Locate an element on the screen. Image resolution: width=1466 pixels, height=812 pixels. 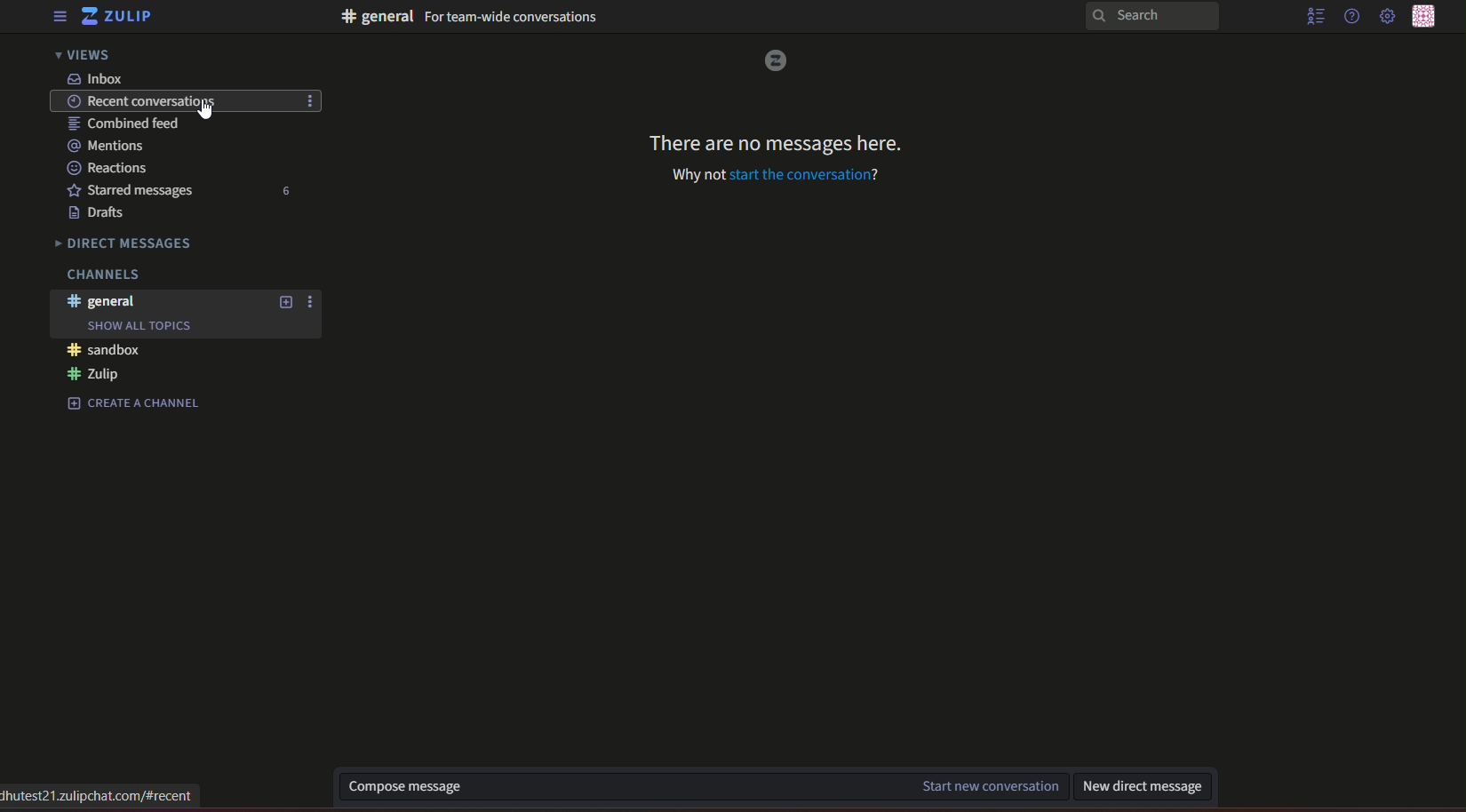
options is located at coordinates (312, 102).